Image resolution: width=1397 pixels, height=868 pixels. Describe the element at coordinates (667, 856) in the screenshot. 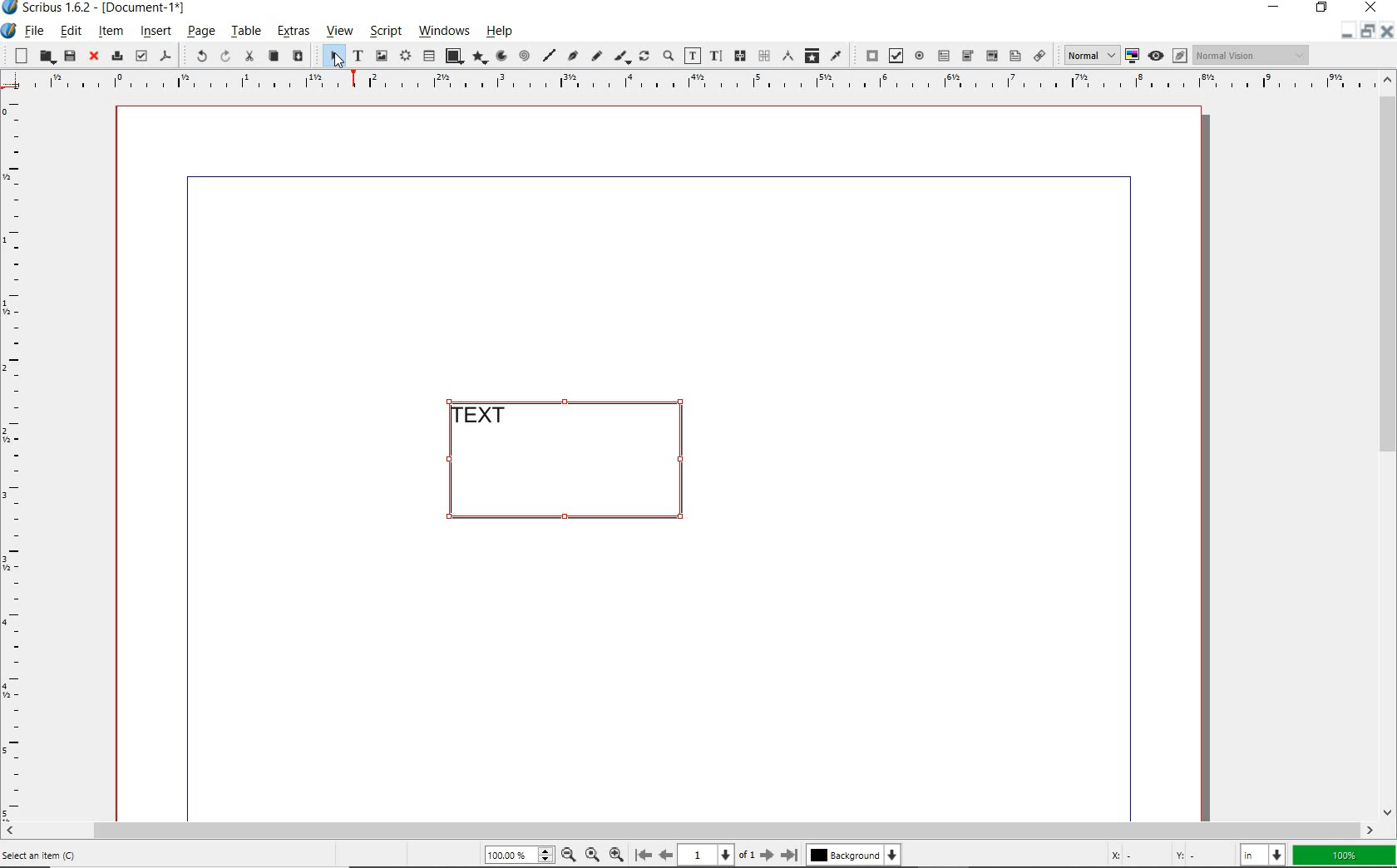

I see `Previous Page` at that location.